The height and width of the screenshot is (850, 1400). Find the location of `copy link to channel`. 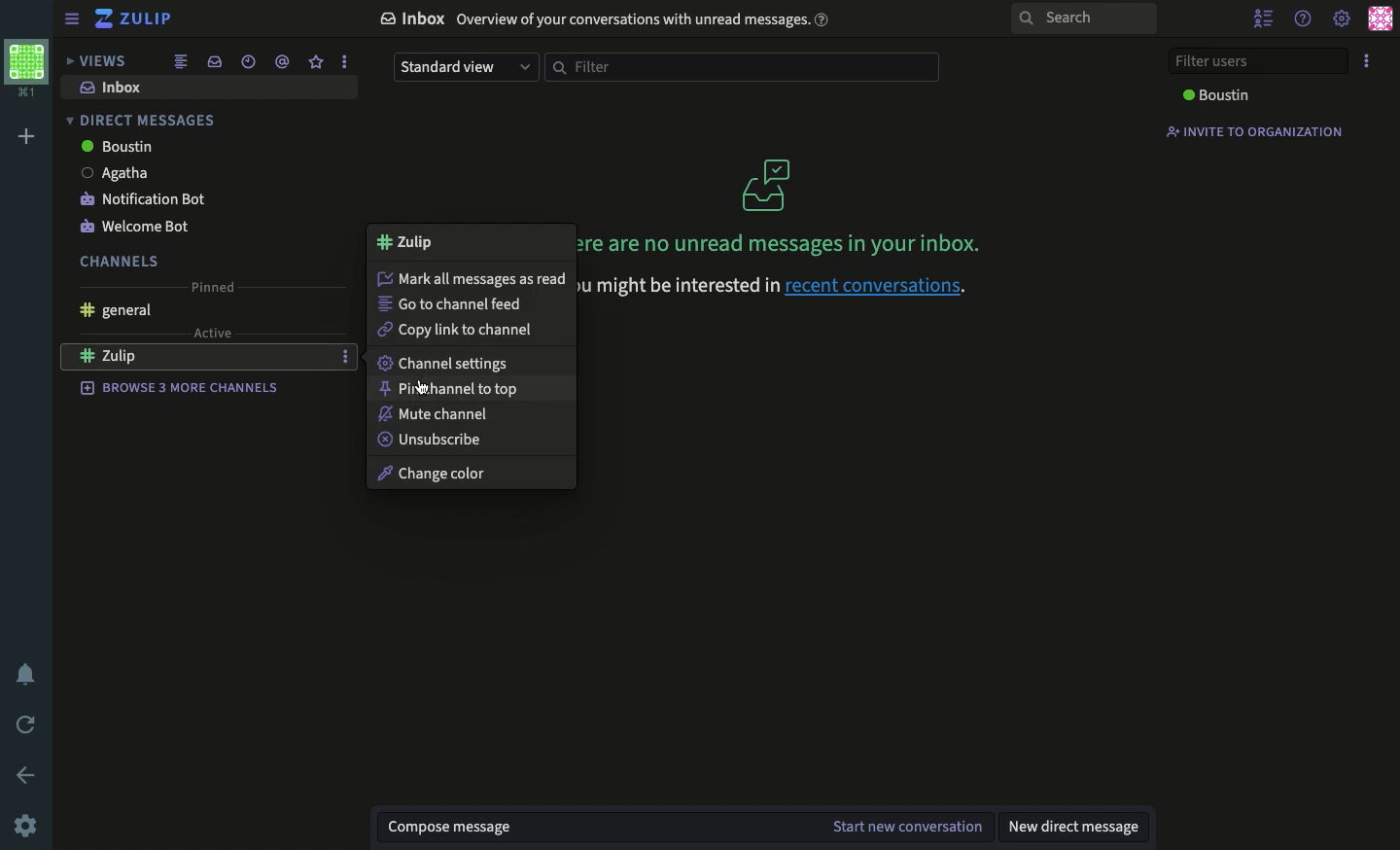

copy link to channel is located at coordinates (456, 332).